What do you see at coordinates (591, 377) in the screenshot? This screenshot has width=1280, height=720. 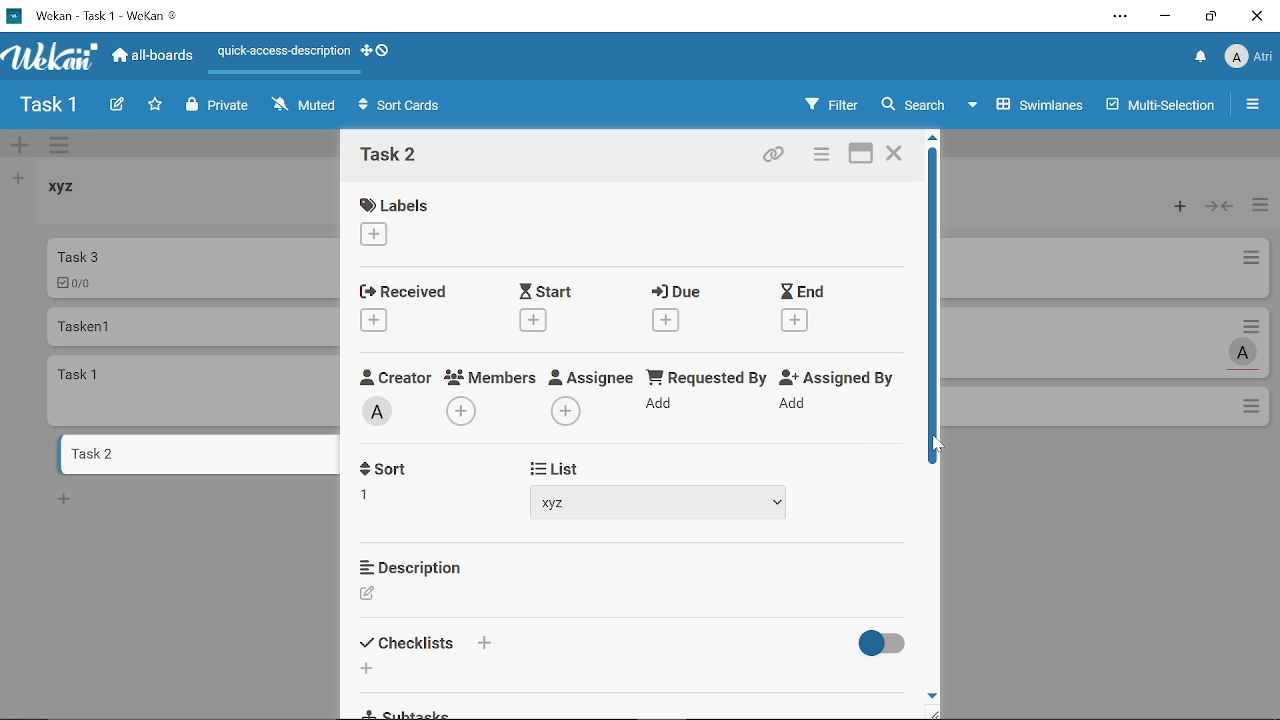 I see `Assignee` at bounding box center [591, 377].